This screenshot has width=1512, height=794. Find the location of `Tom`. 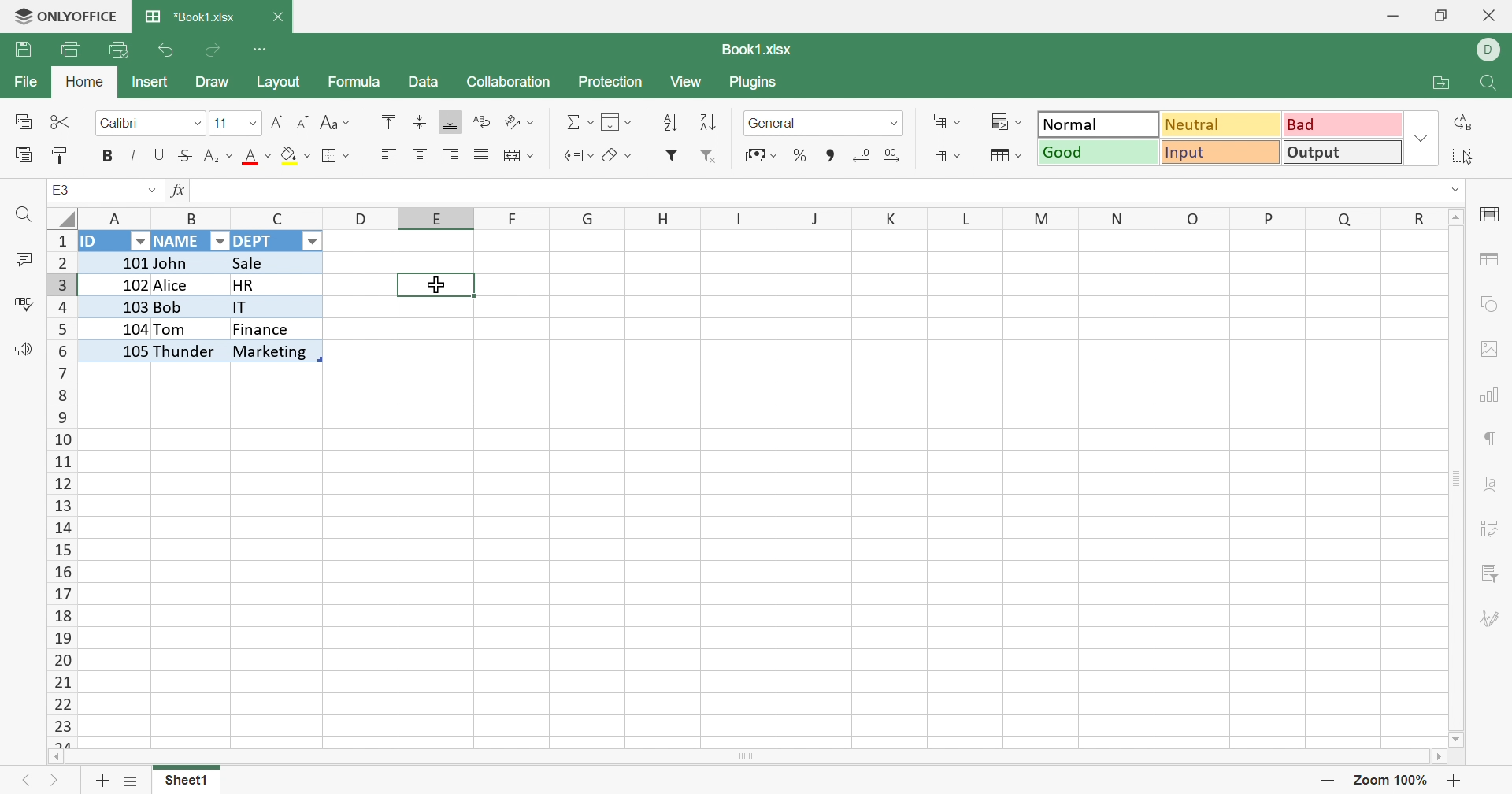

Tom is located at coordinates (173, 328).